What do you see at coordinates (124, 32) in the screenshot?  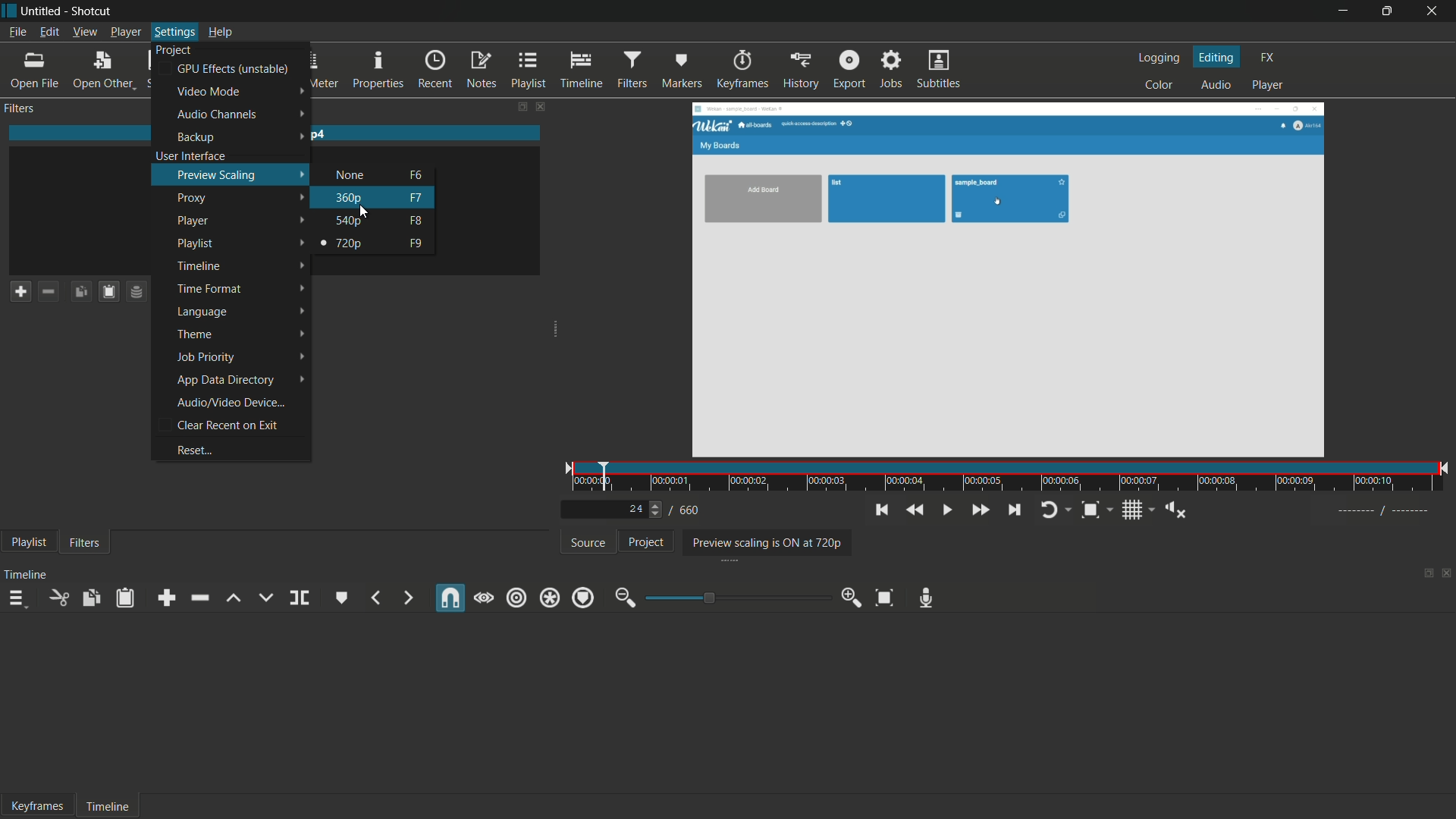 I see `player menu` at bounding box center [124, 32].